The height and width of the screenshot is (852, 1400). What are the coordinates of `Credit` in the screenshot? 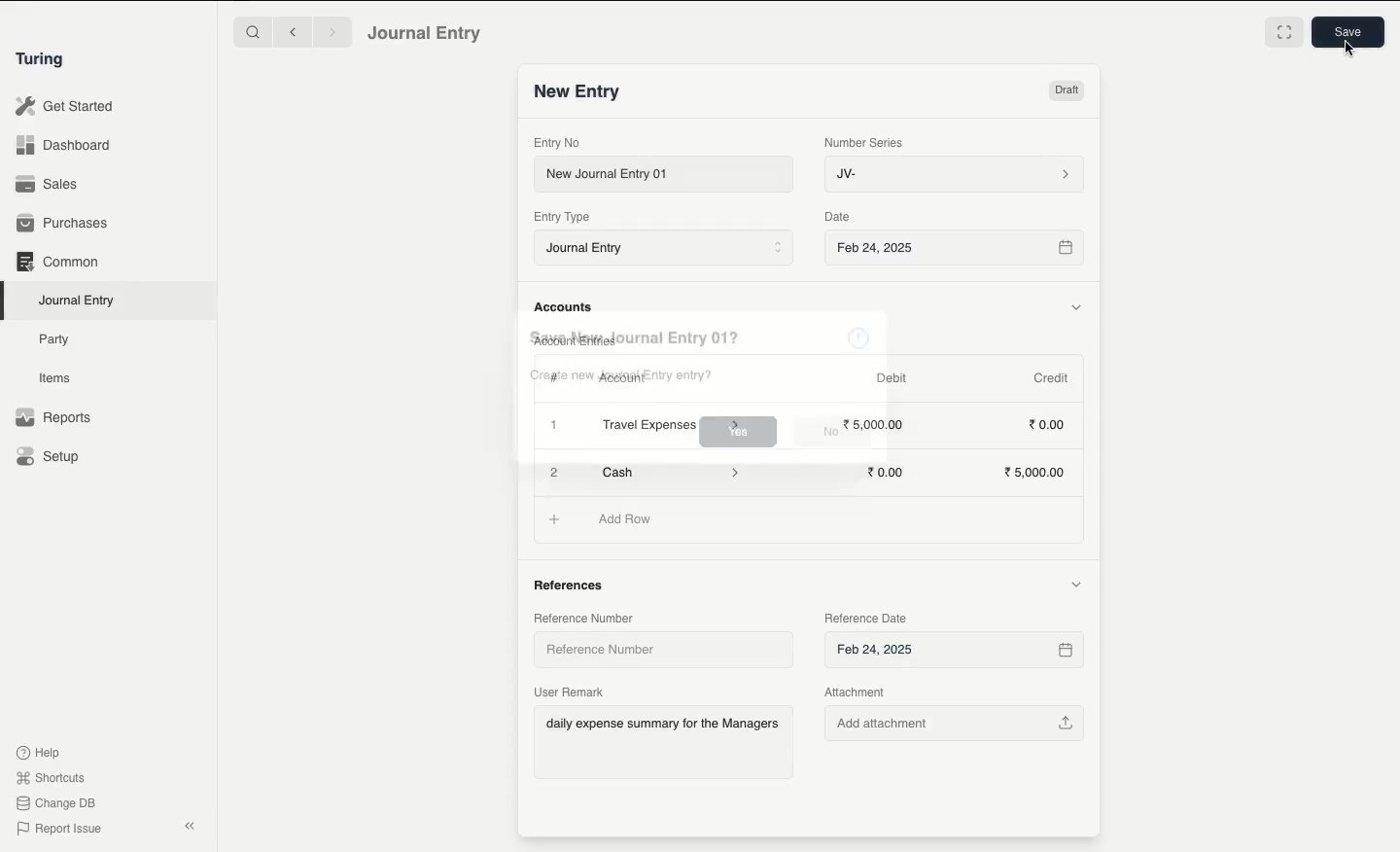 It's located at (1053, 378).